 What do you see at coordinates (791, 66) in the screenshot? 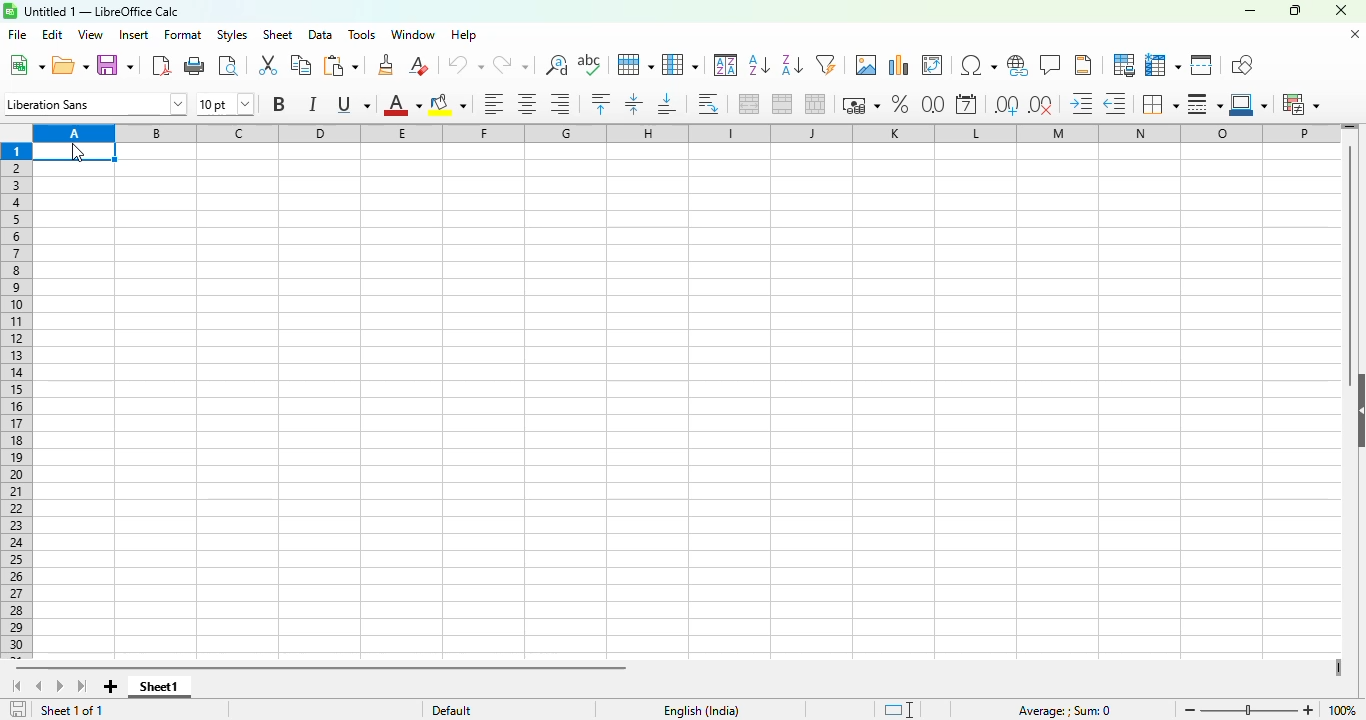
I see `sort descending` at bounding box center [791, 66].